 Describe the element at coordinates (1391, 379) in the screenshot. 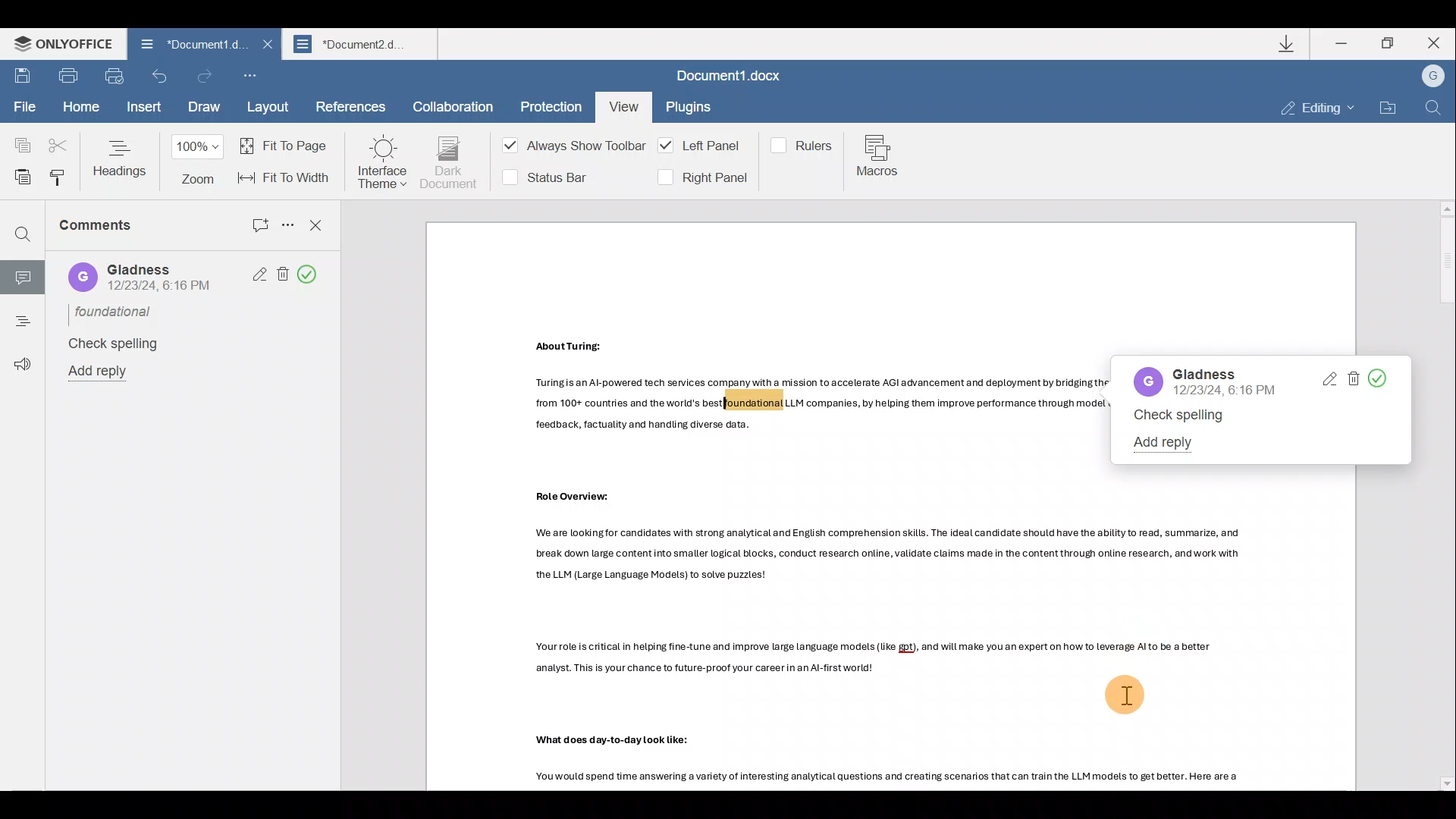

I see `Resolve comment` at that location.